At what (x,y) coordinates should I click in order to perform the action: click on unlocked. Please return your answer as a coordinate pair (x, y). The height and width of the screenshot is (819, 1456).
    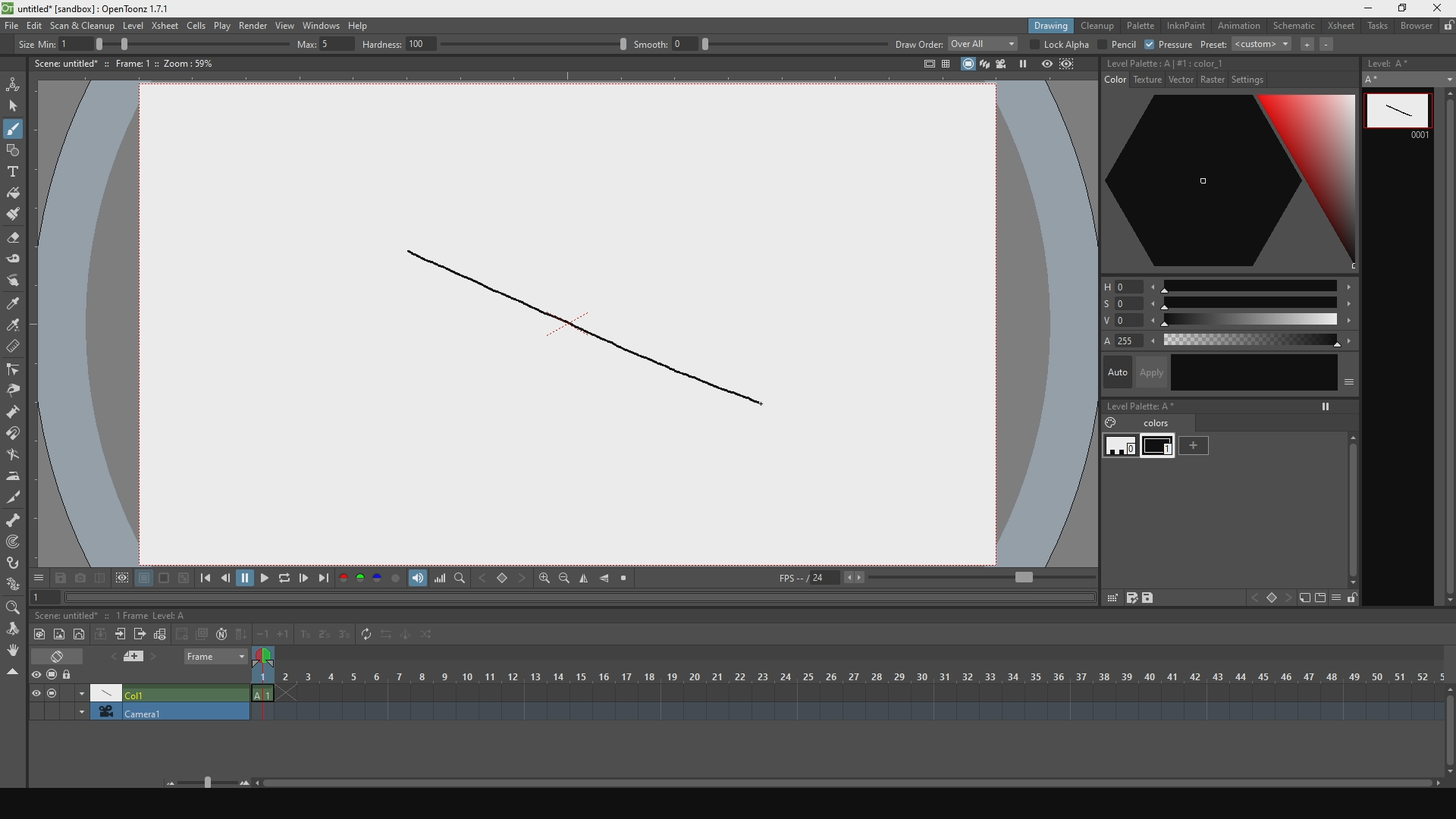
    Looking at the image, I should click on (1350, 598).